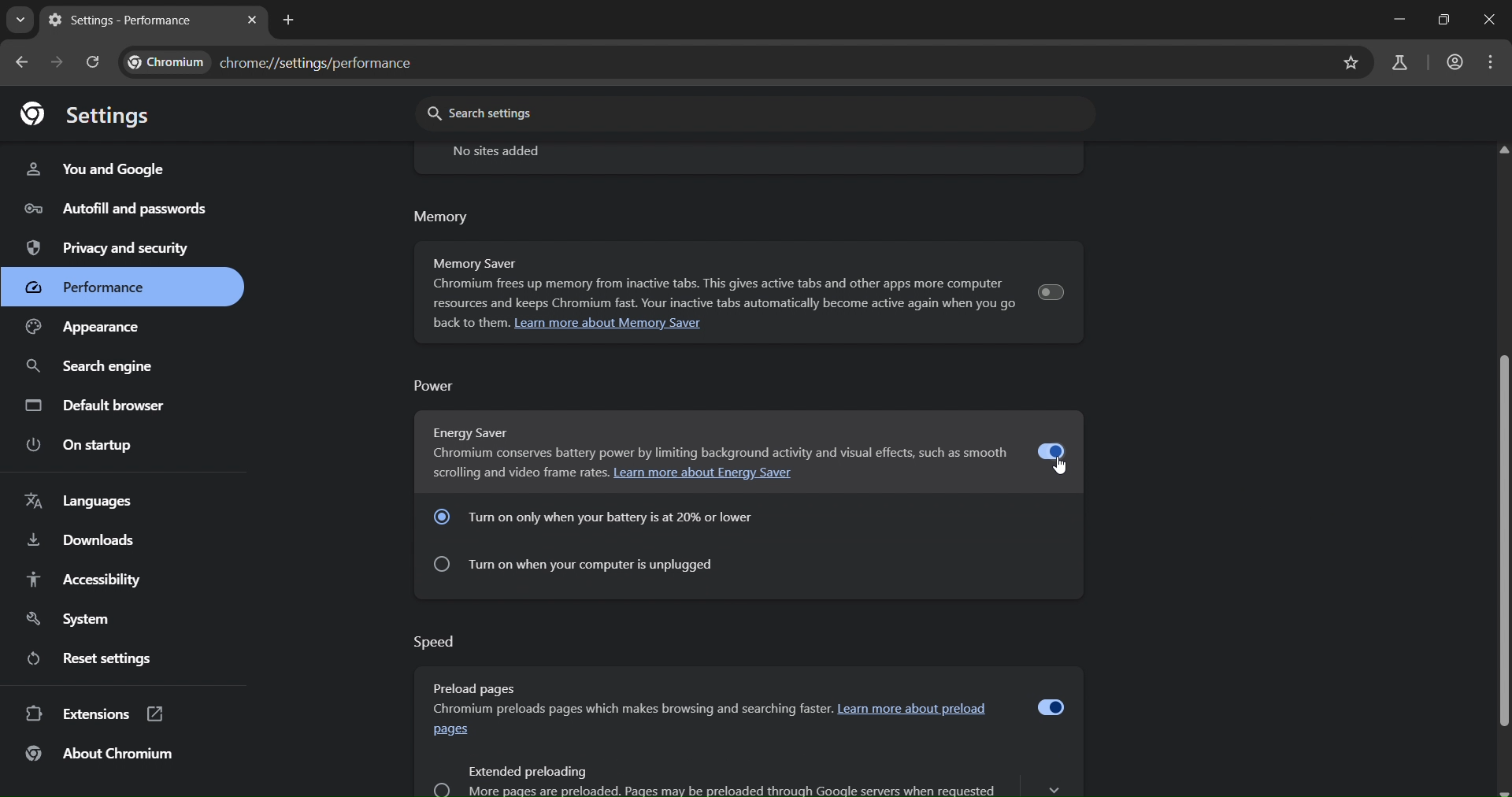  Describe the element at coordinates (89, 579) in the screenshot. I see `accessibility` at that location.